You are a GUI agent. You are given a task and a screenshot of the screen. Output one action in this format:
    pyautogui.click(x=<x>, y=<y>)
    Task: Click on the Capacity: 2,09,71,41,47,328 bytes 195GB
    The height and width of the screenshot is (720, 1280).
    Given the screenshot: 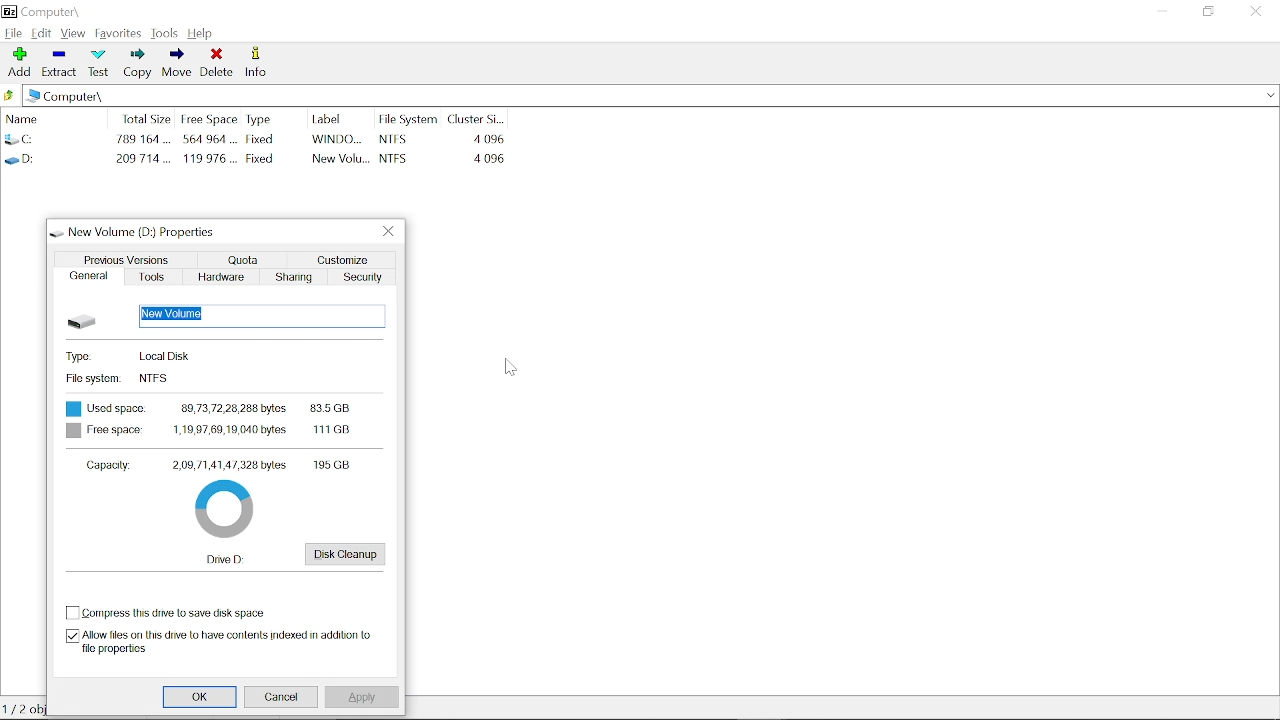 What is the action you would take?
    pyautogui.click(x=211, y=463)
    